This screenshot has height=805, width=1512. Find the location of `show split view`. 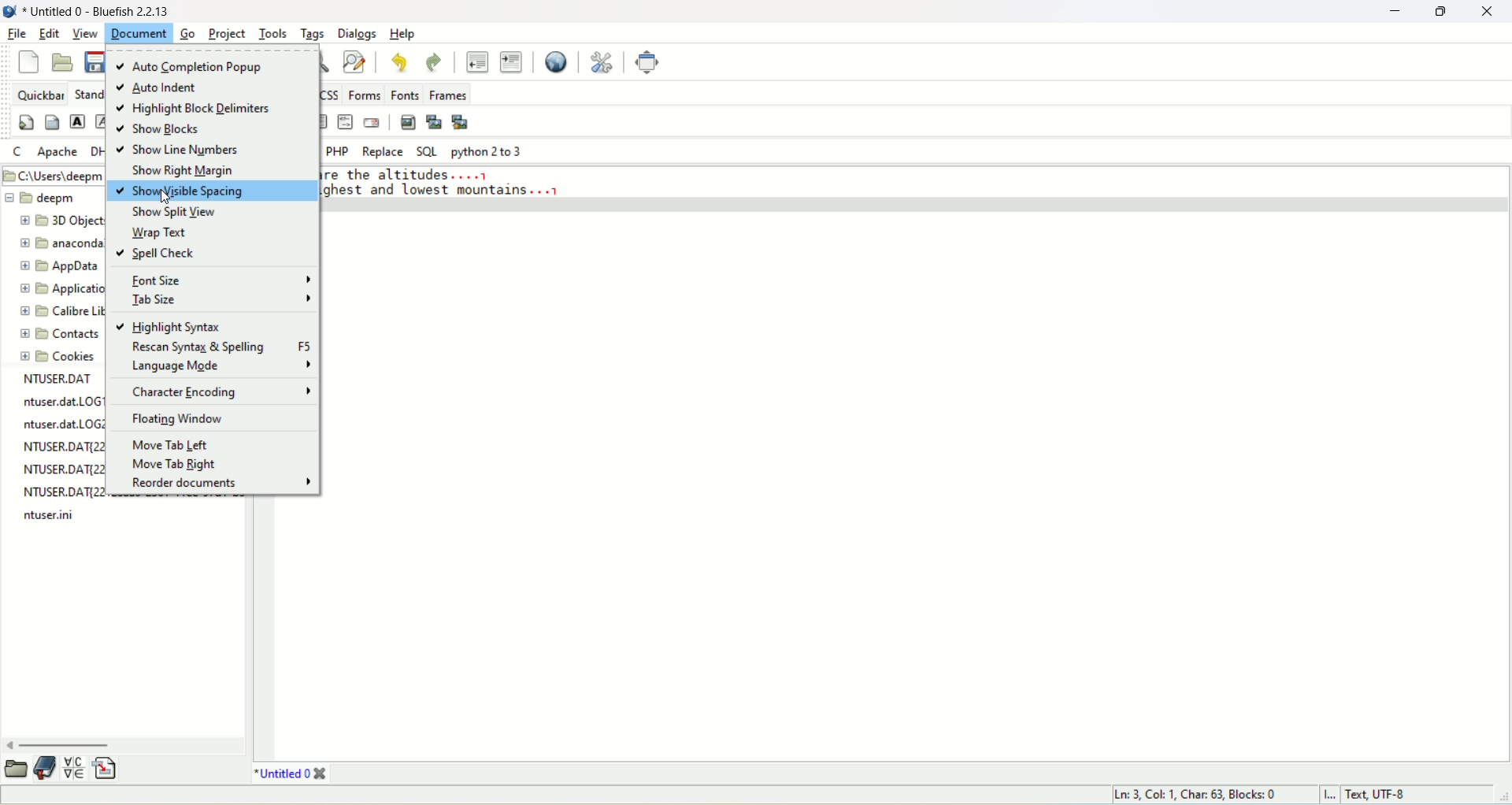

show split view is located at coordinates (181, 213).